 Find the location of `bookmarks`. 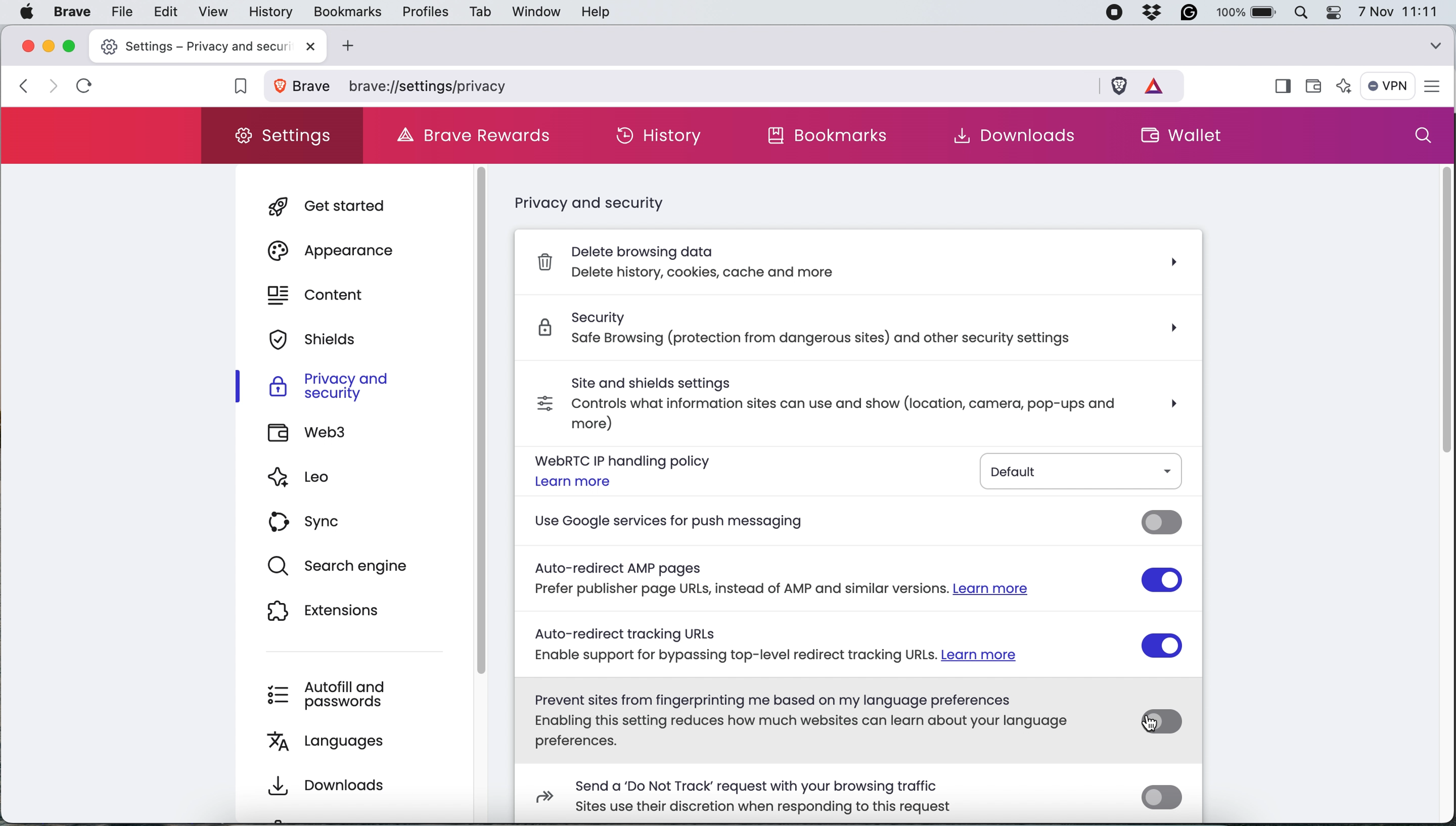

bookmarks is located at coordinates (347, 11).